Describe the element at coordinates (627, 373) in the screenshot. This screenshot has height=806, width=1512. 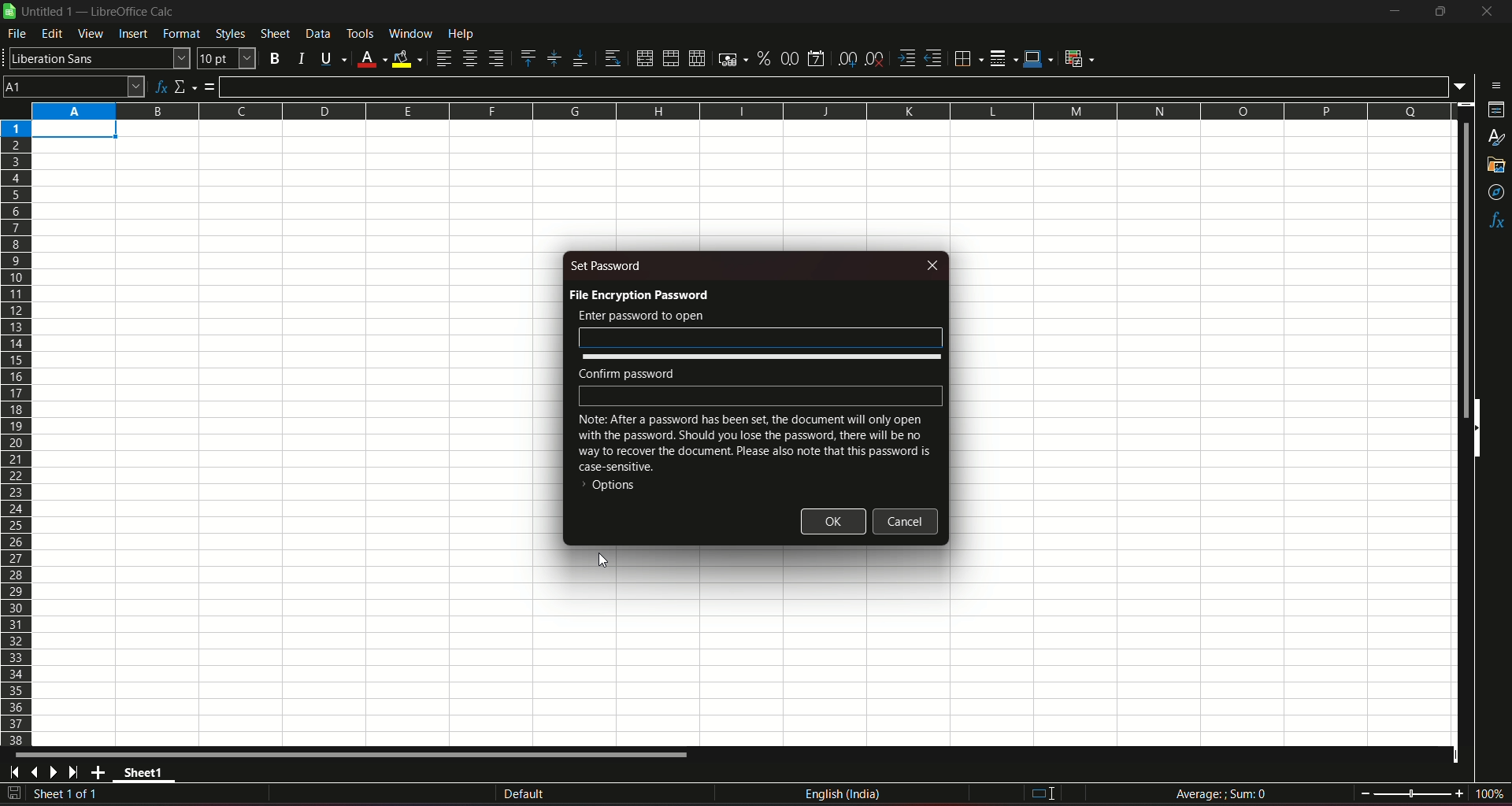
I see `confirm password` at that location.